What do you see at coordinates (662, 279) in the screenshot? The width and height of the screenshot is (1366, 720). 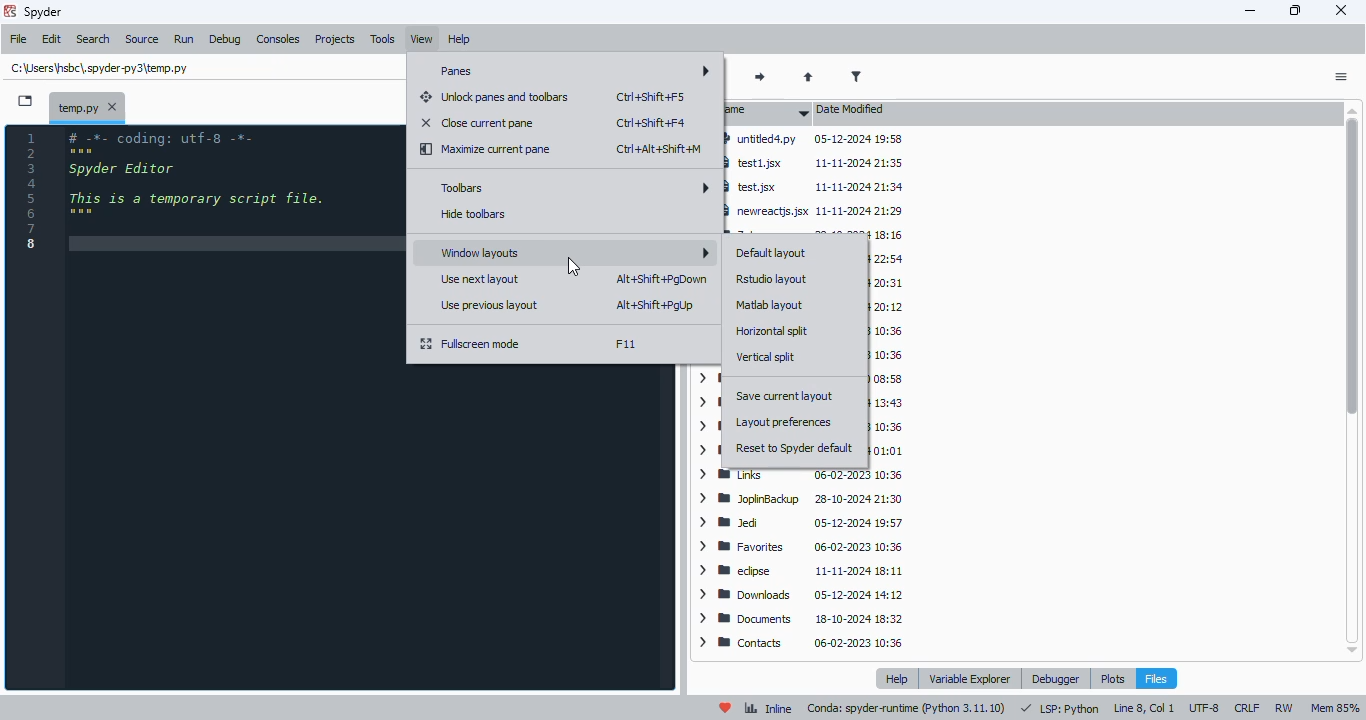 I see `shortcut for use next layout` at bounding box center [662, 279].